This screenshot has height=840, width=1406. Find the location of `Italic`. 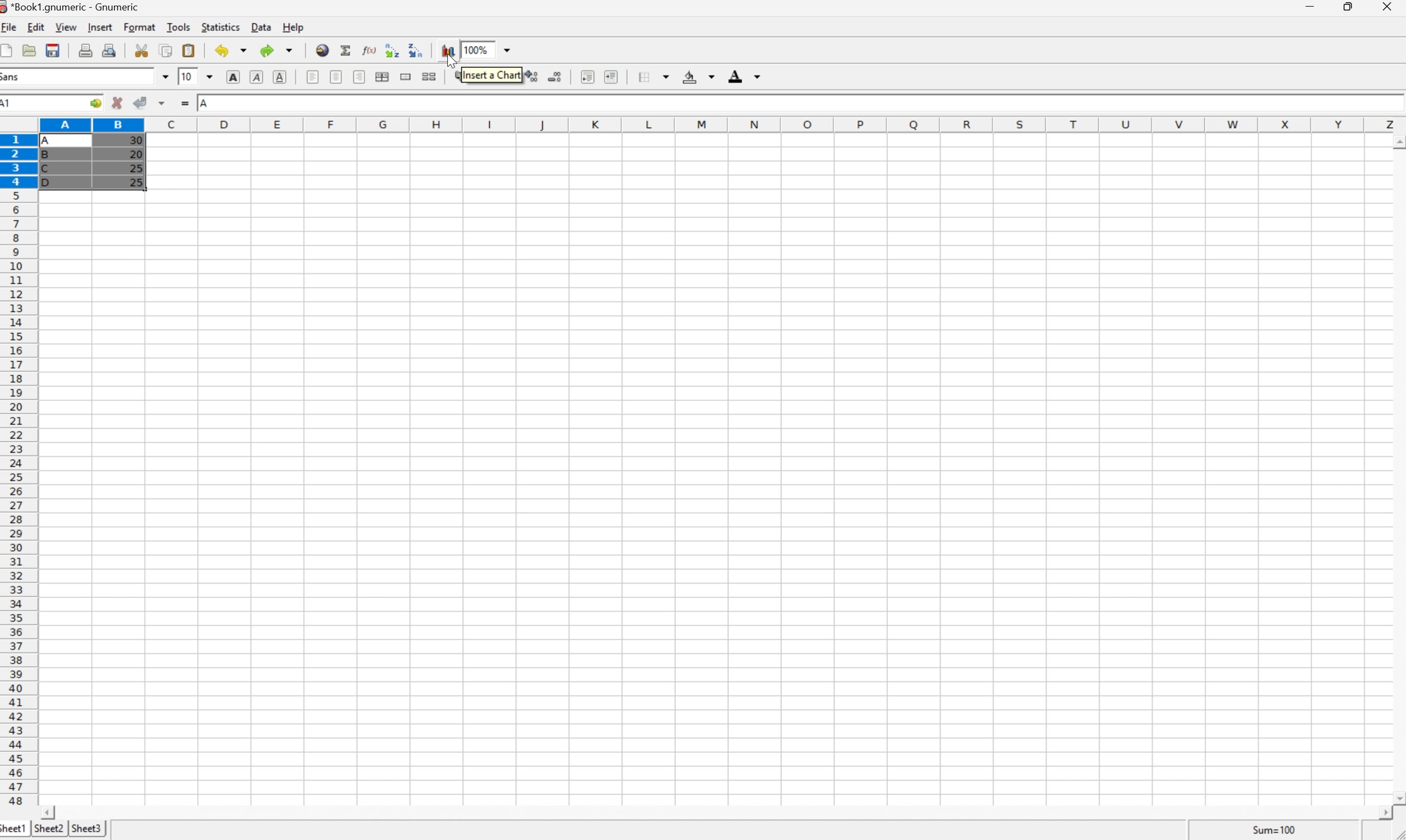

Italic is located at coordinates (257, 76).